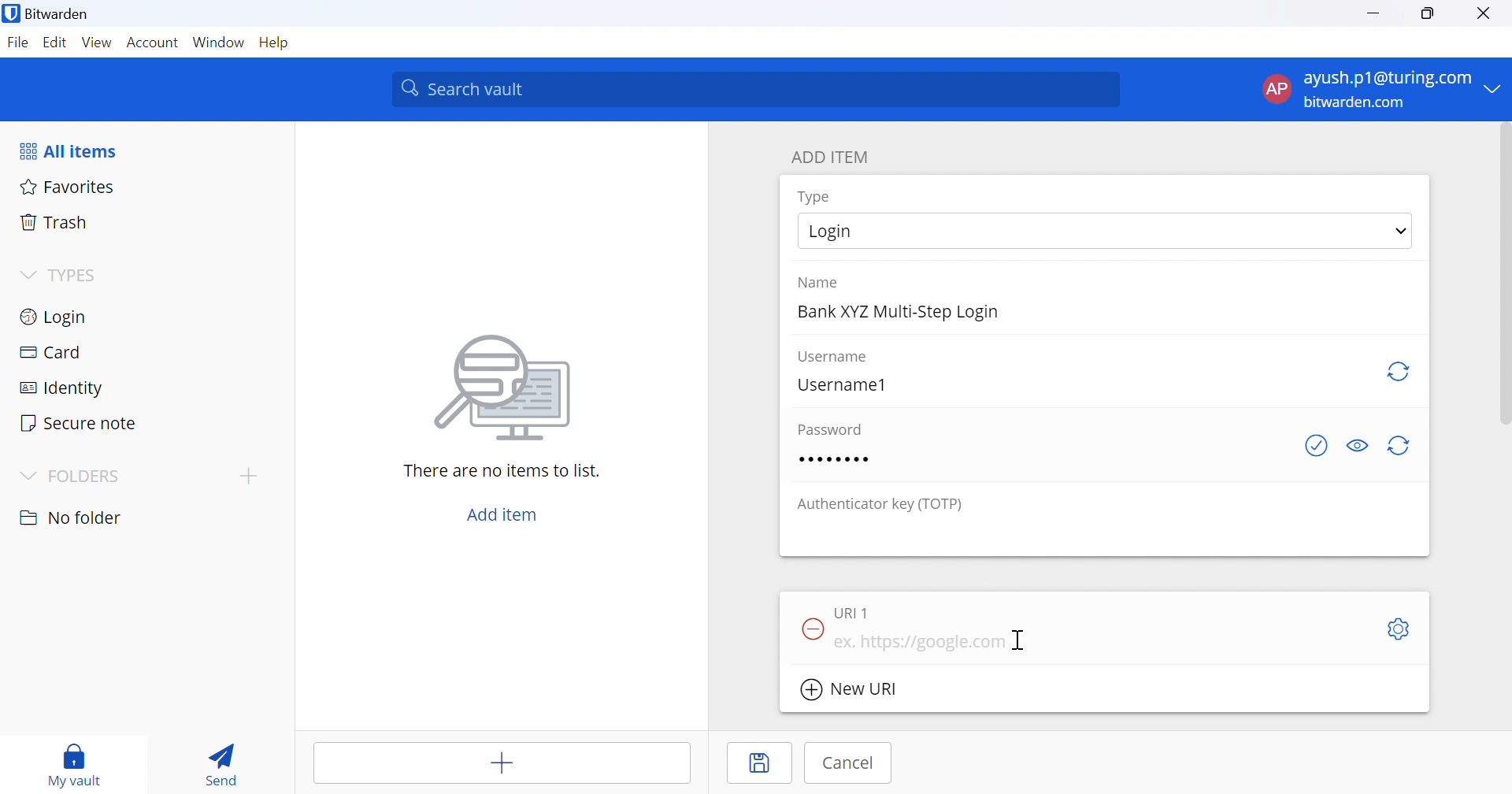  I want to click on Settings, so click(1401, 629).